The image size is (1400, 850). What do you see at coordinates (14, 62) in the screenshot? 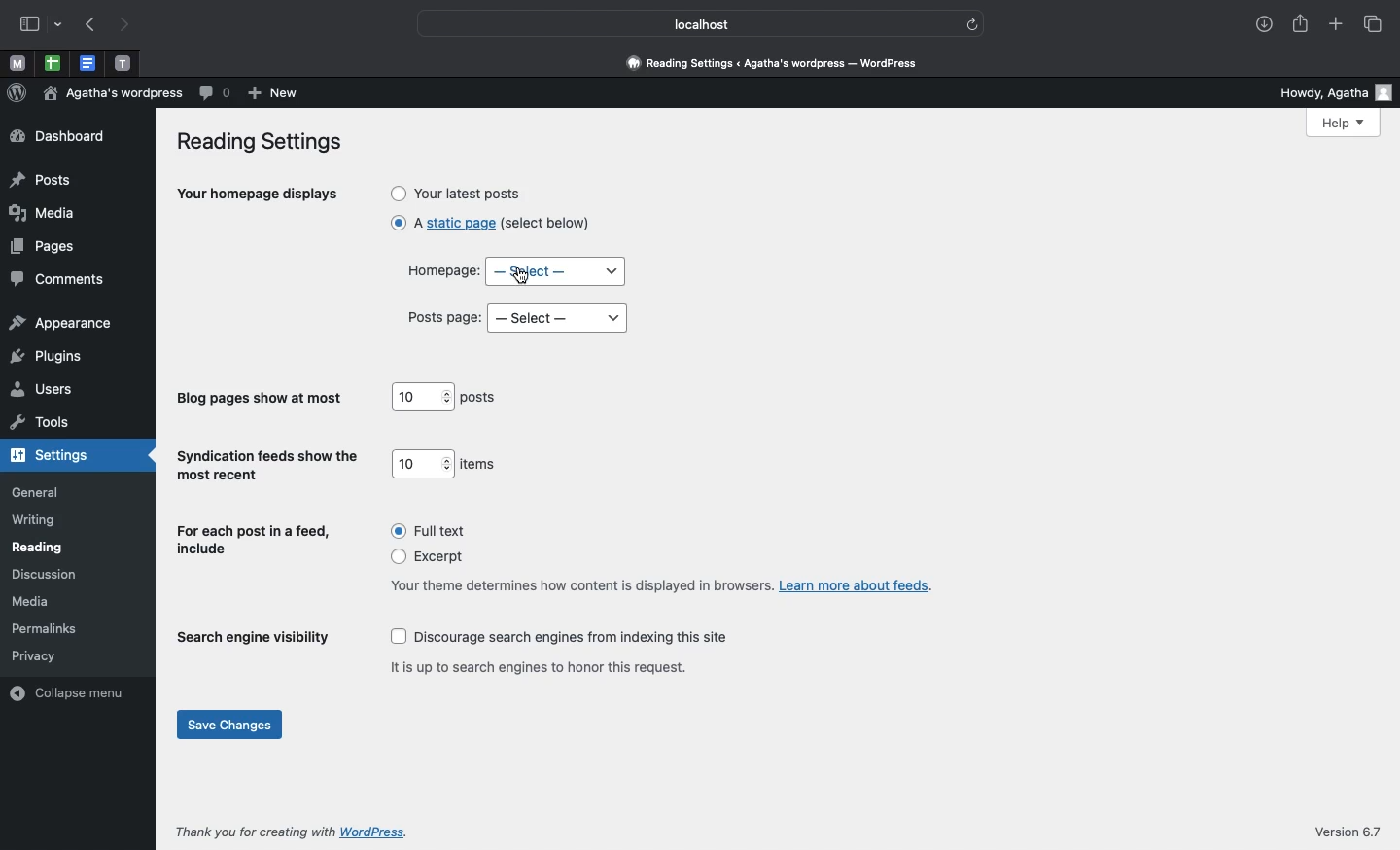
I see `Pinned tabs` at bounding box center [14, 62].